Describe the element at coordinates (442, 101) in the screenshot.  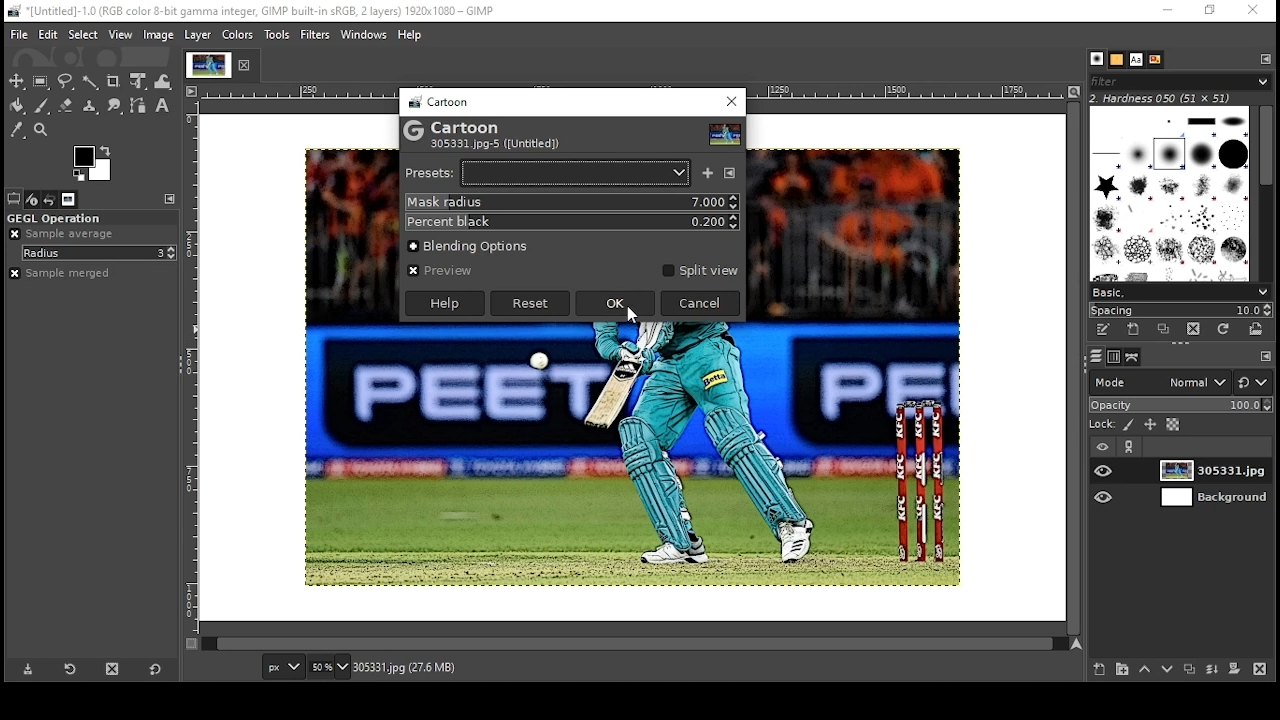
I see `cartoon` at that location.